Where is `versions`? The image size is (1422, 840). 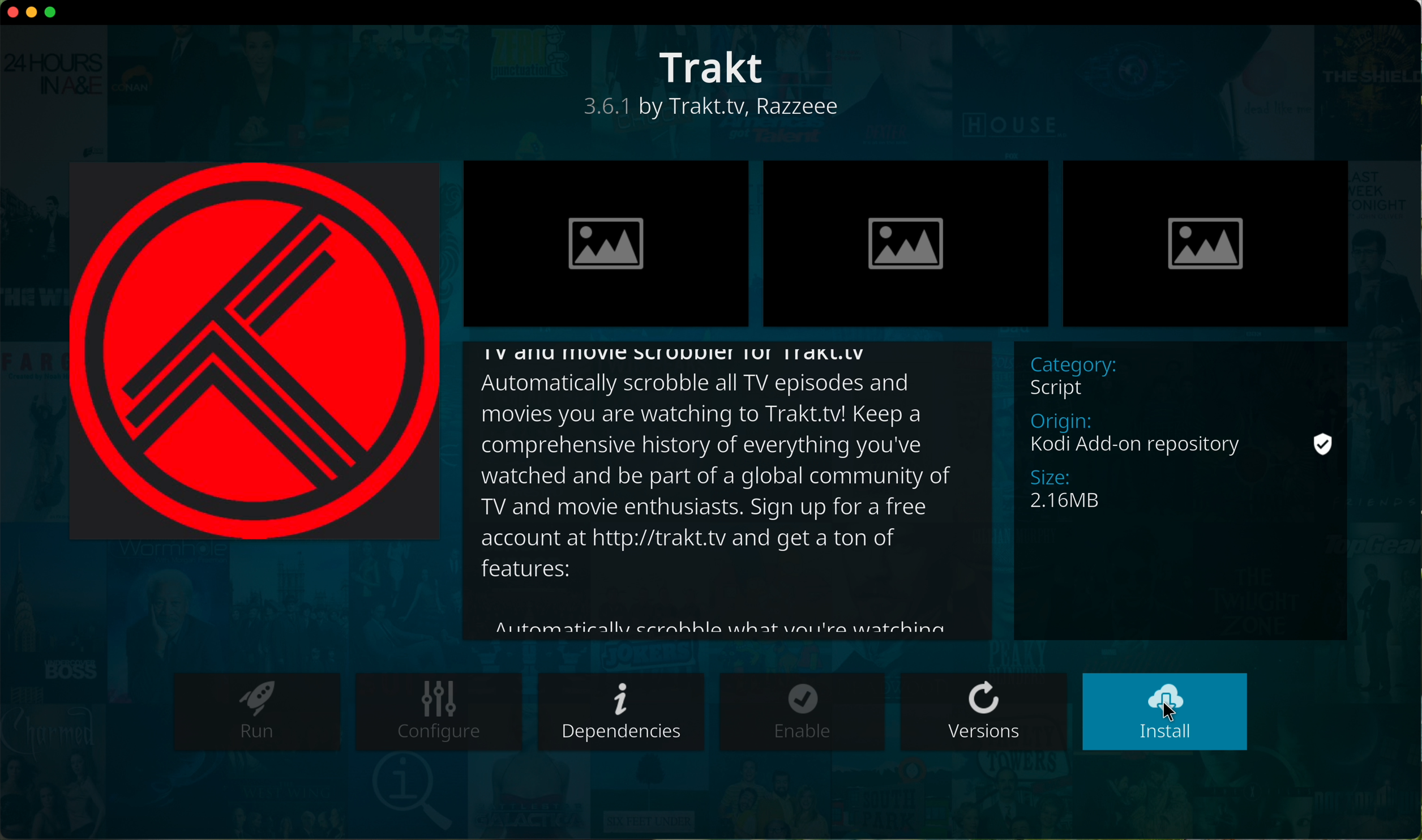
versions is located at coordinates (984, 712).